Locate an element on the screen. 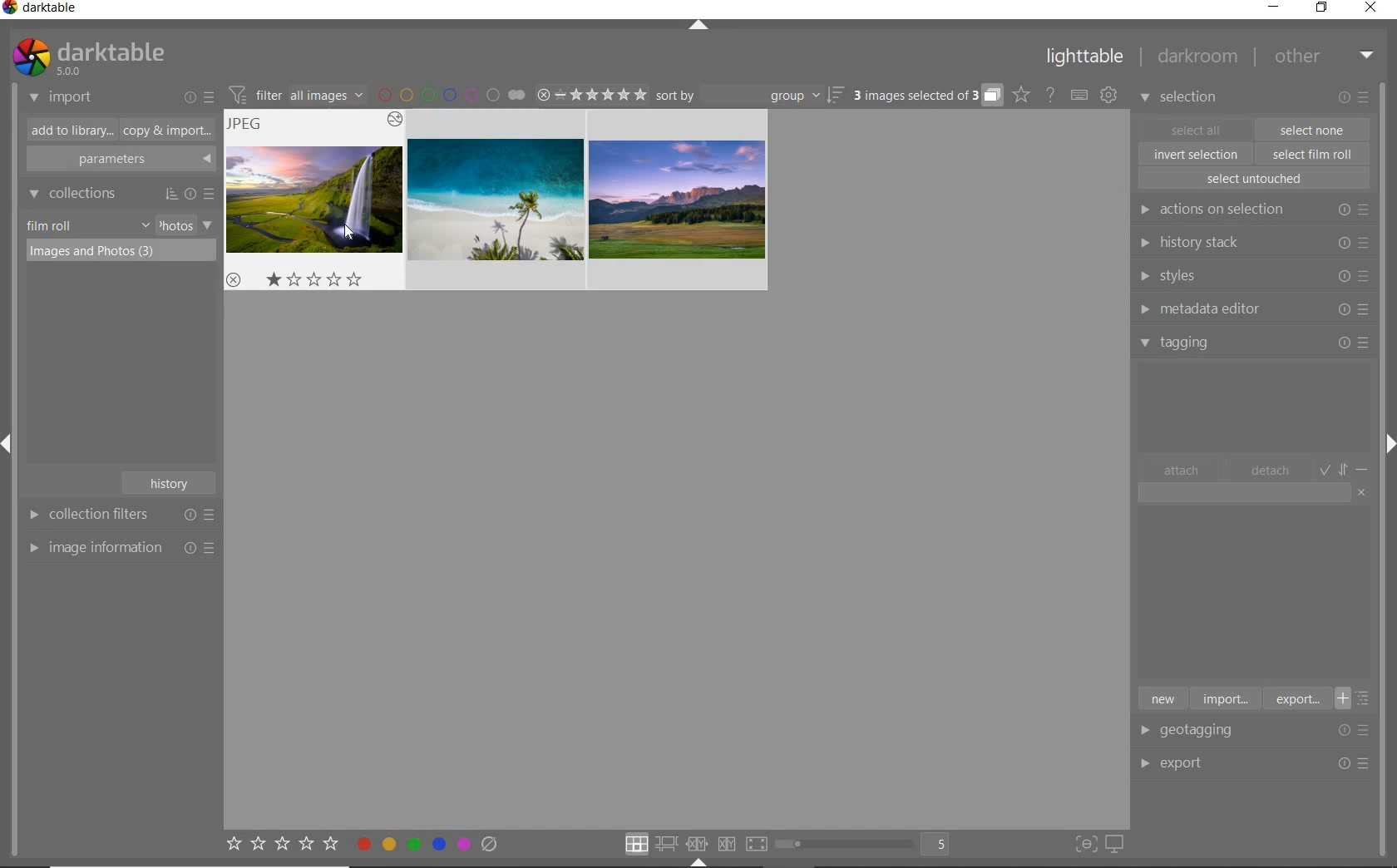 This screenshot has height=868, width=1397. import or presets & preferences is located at coordinates (199, 96).